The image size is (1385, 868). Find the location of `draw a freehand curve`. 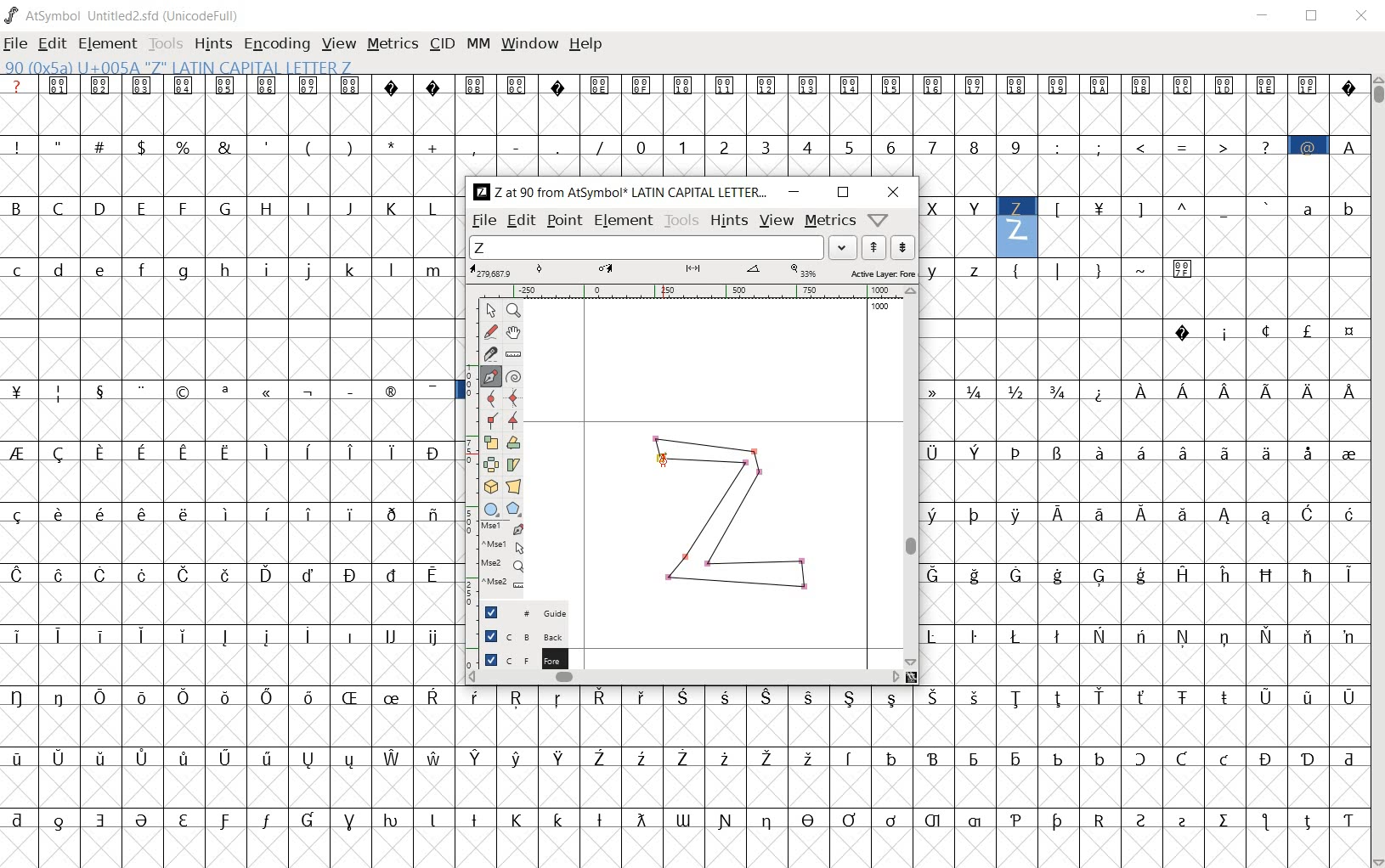

draw a freehand curve is located at coordinates (490, 332).